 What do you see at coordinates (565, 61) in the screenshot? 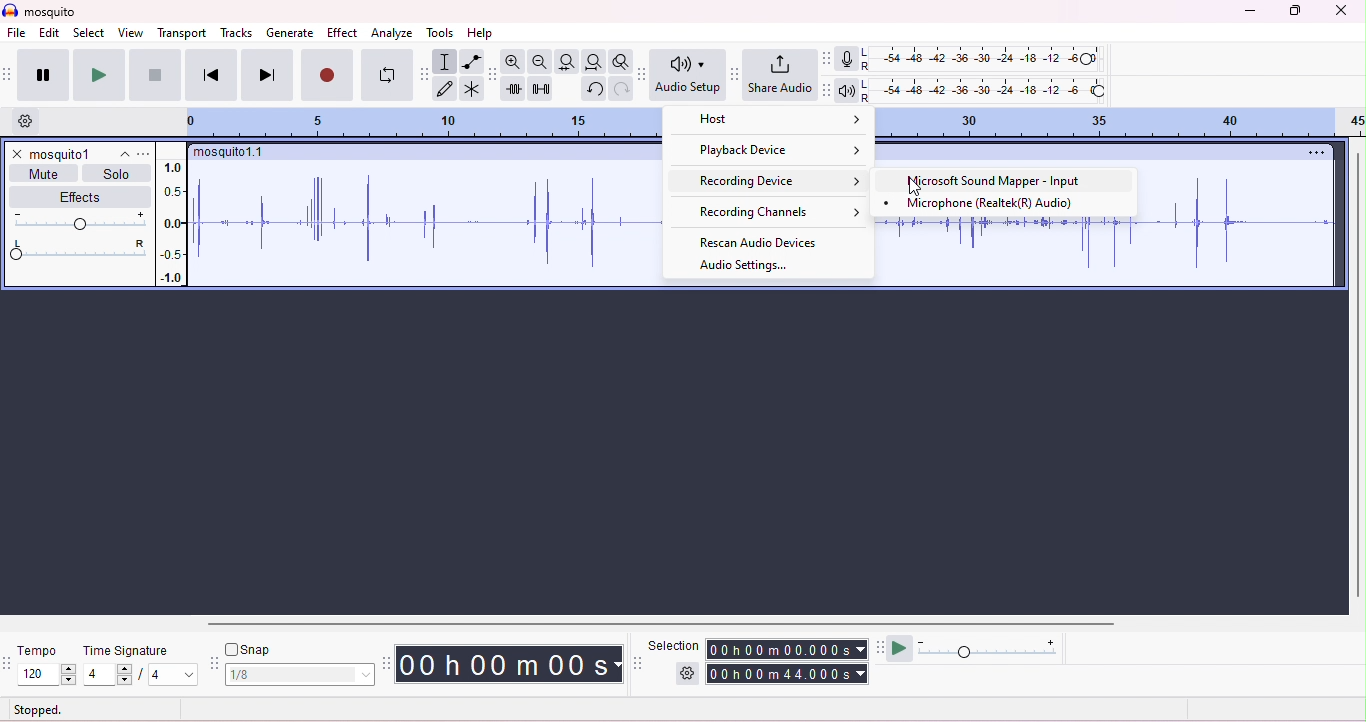
I see `fit selection to width` at bounding box center [565, 61].